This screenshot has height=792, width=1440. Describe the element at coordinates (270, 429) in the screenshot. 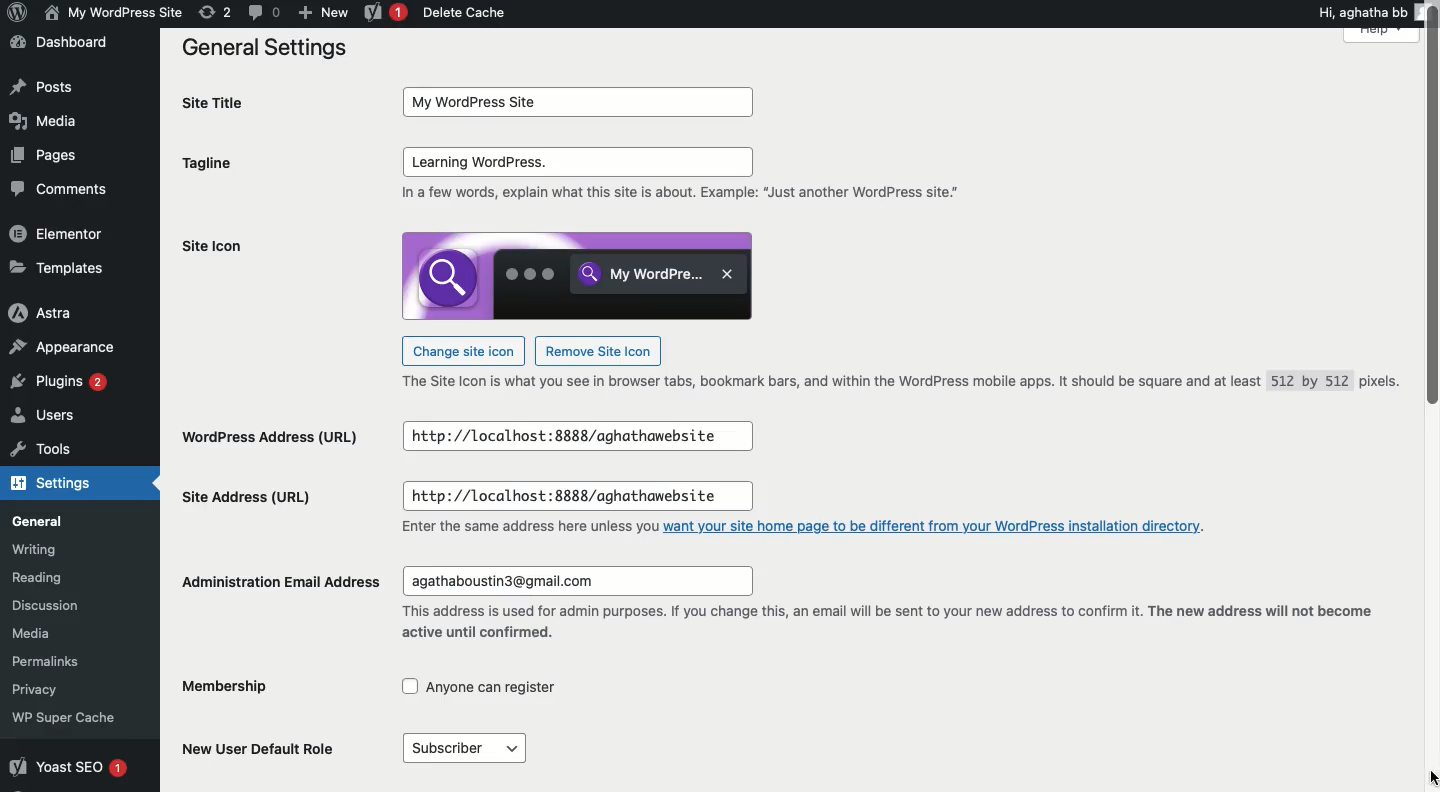

I see `Wordpress address (url)` at that location.